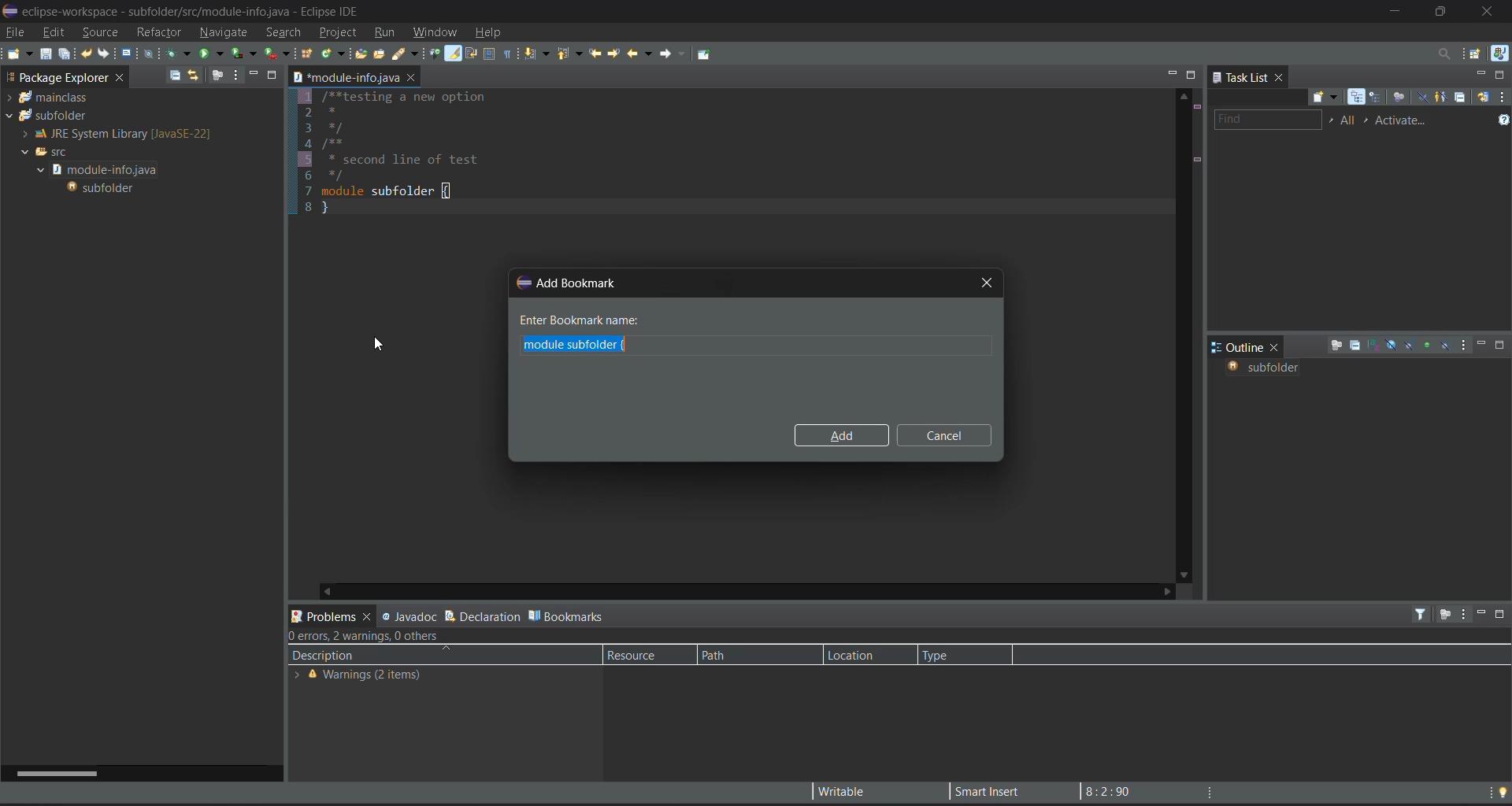  What do you see at coordinates (106, 168) in the screenshot?
I see `module-info.java` at bounding box center [106, 168].